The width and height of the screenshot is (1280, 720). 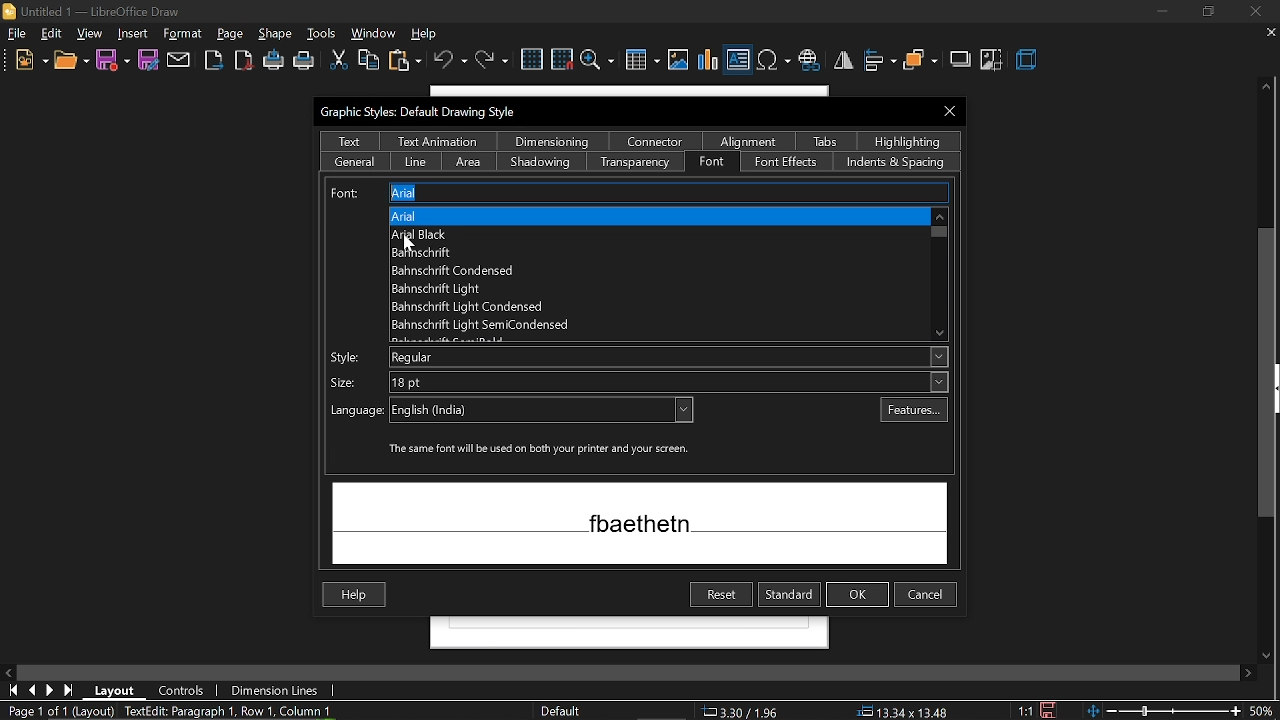 What do you see at coordinates (115, 691) in the screenshot?
I see `layout` at bounding box center [115, 691].